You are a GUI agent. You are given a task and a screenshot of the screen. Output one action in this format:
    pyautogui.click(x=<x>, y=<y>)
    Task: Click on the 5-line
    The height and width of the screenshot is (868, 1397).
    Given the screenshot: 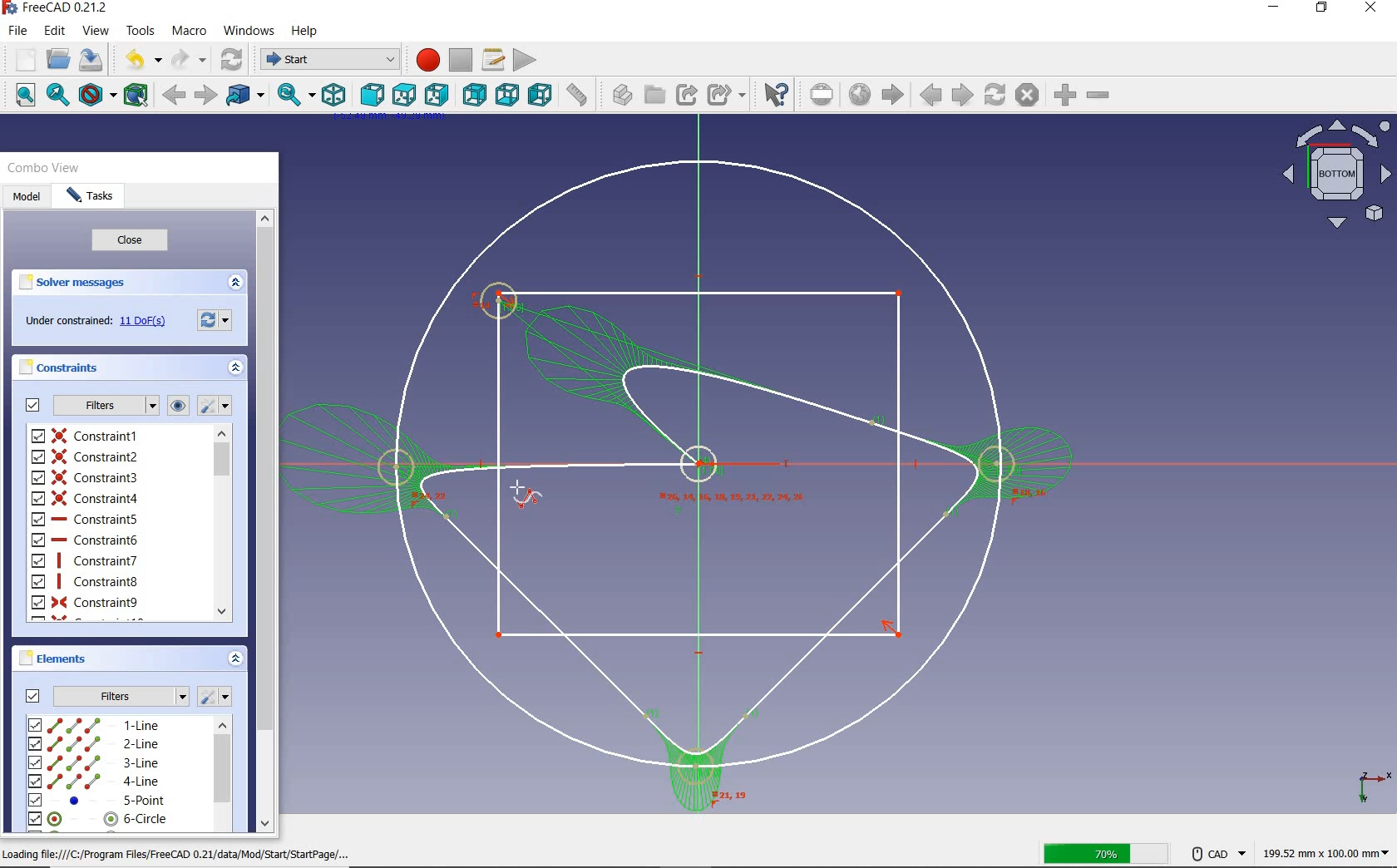 What is the action you would take?
    pyautogui.click(x=98, y=801)
    